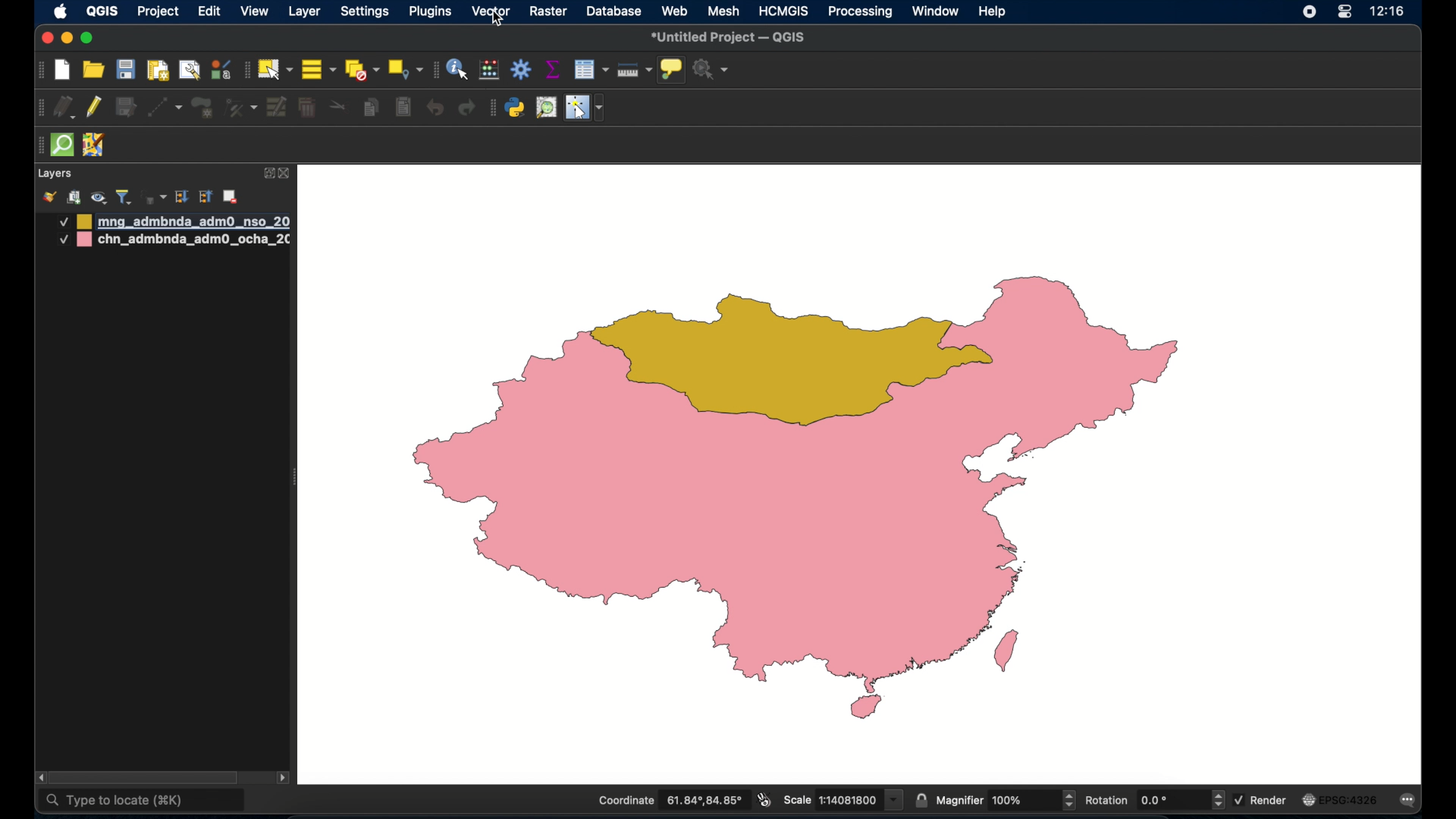  Describe the element at coordinates (125, 71) in the screenshot. I see `save project` at that location.